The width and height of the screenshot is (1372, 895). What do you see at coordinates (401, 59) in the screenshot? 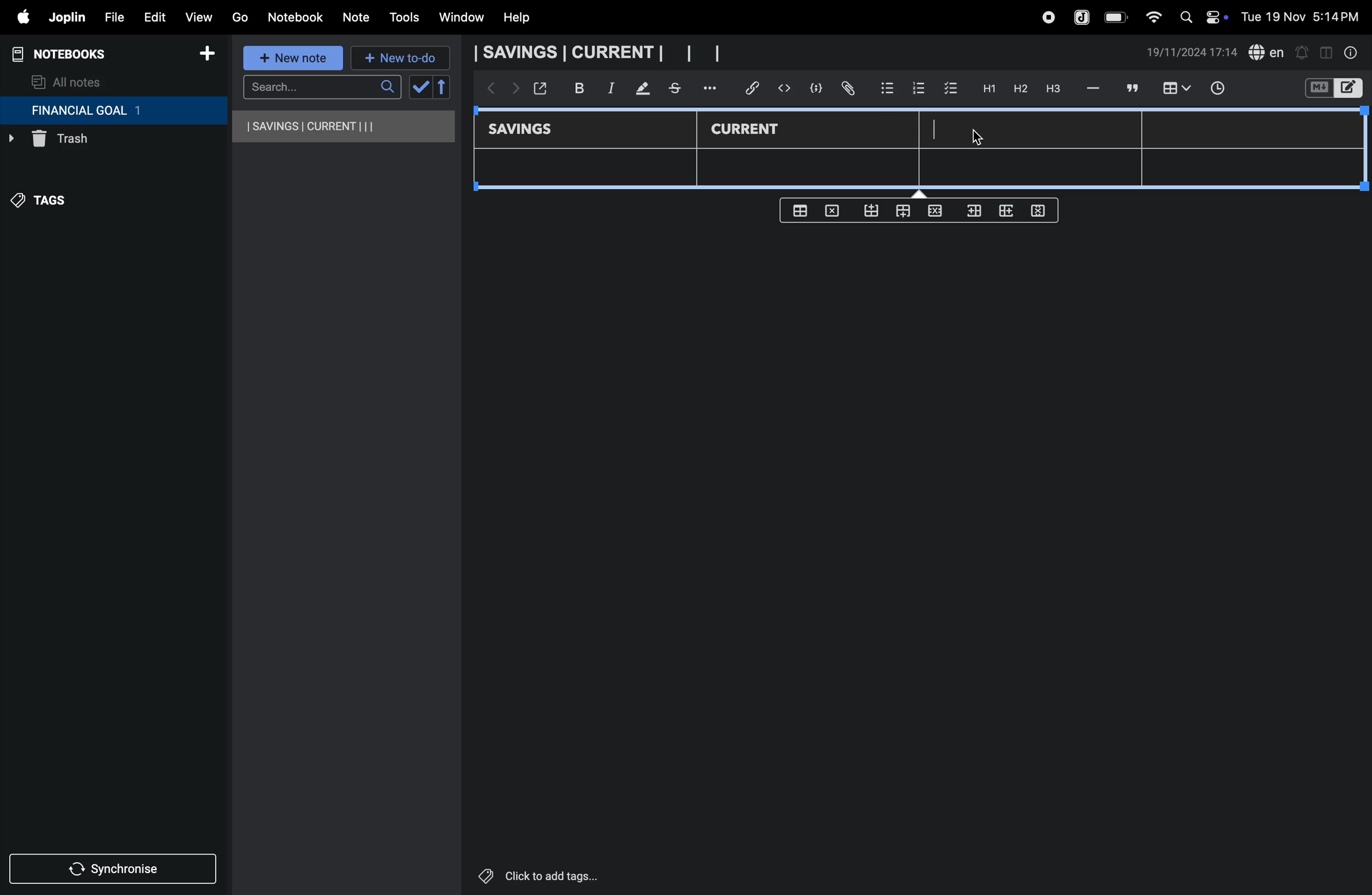
I see `new to-do` at bounding box center [401, 59].